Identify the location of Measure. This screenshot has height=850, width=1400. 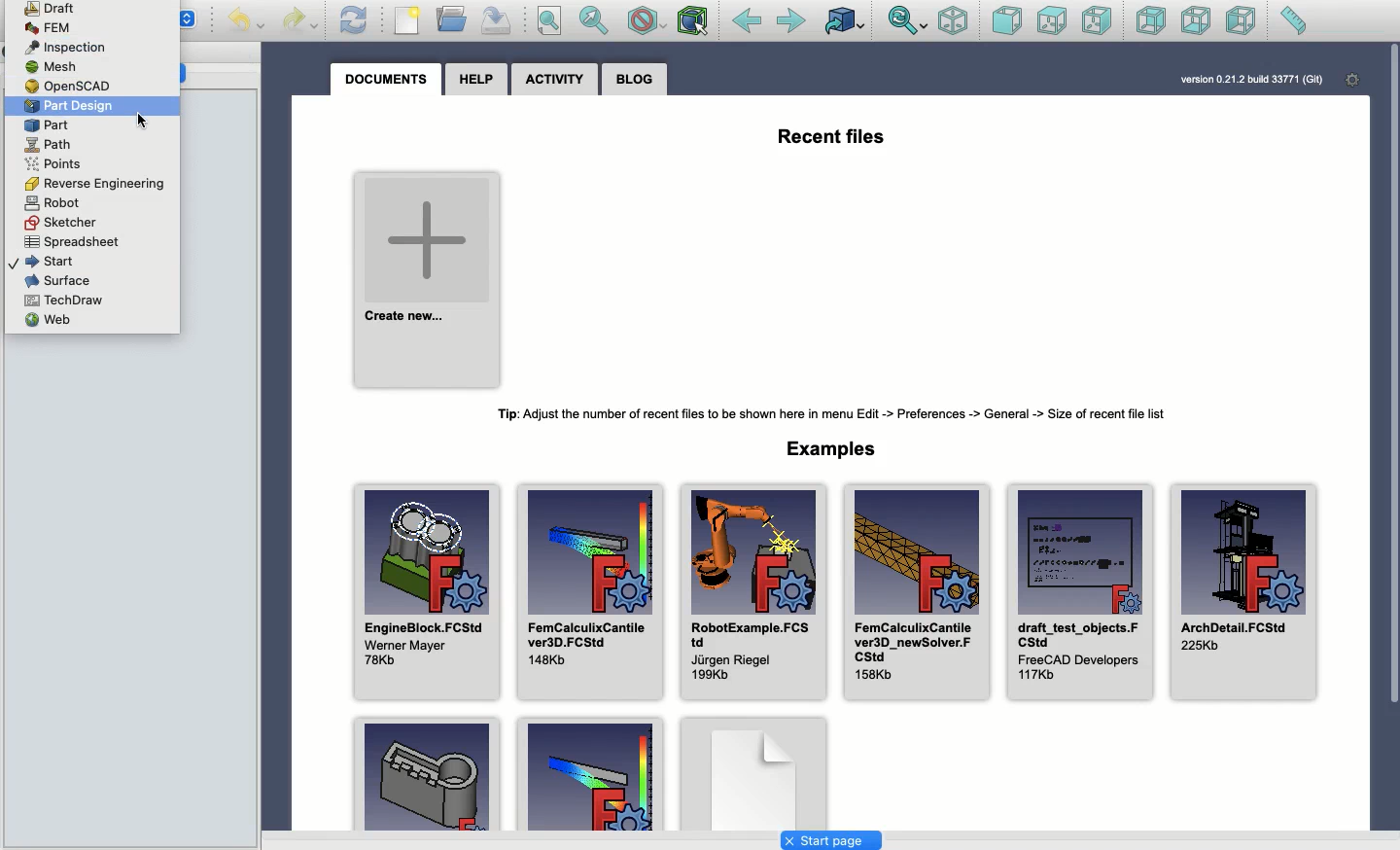
(1292, 22).